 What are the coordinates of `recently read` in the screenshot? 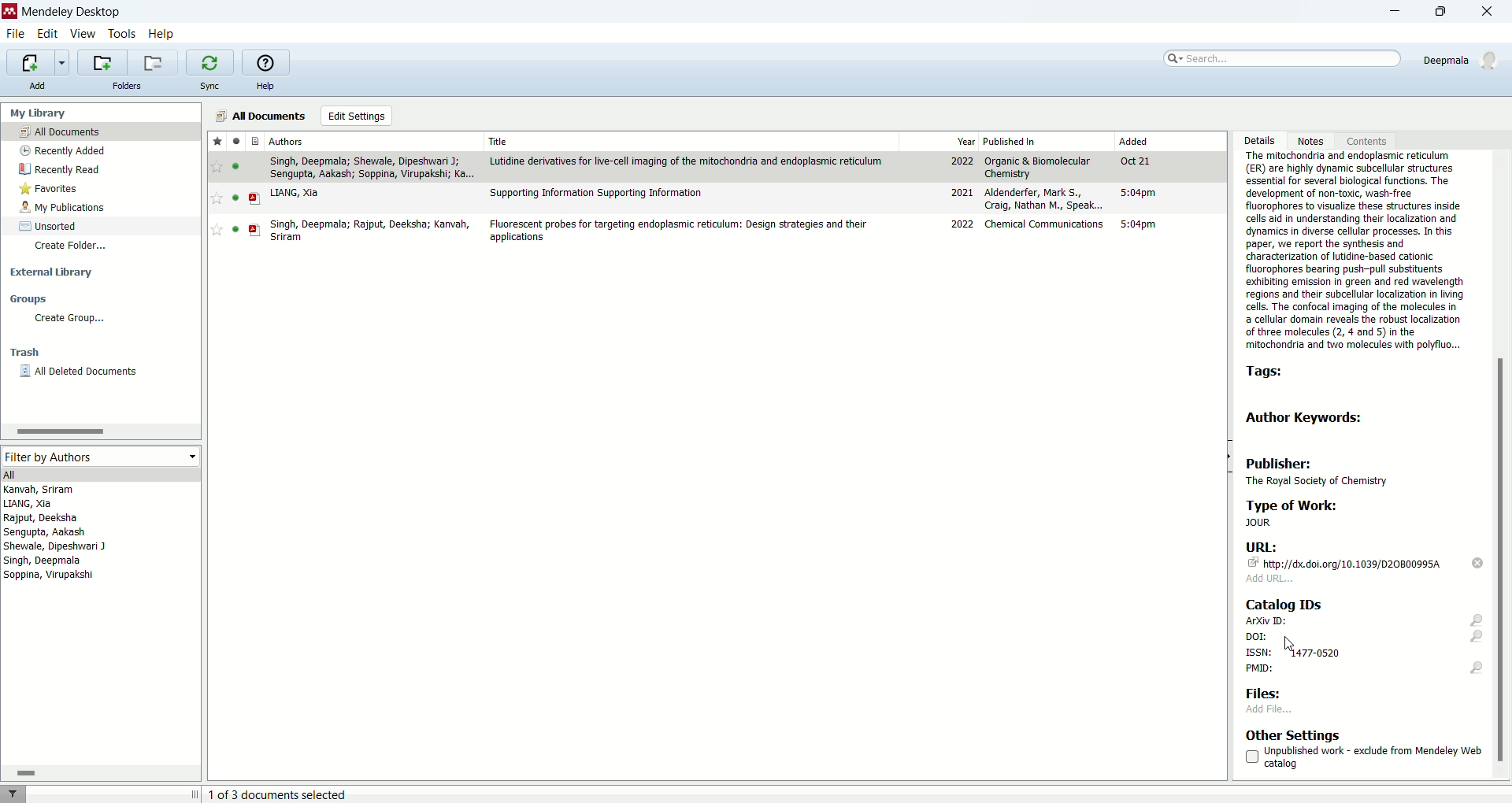 It's located at (59, 169).